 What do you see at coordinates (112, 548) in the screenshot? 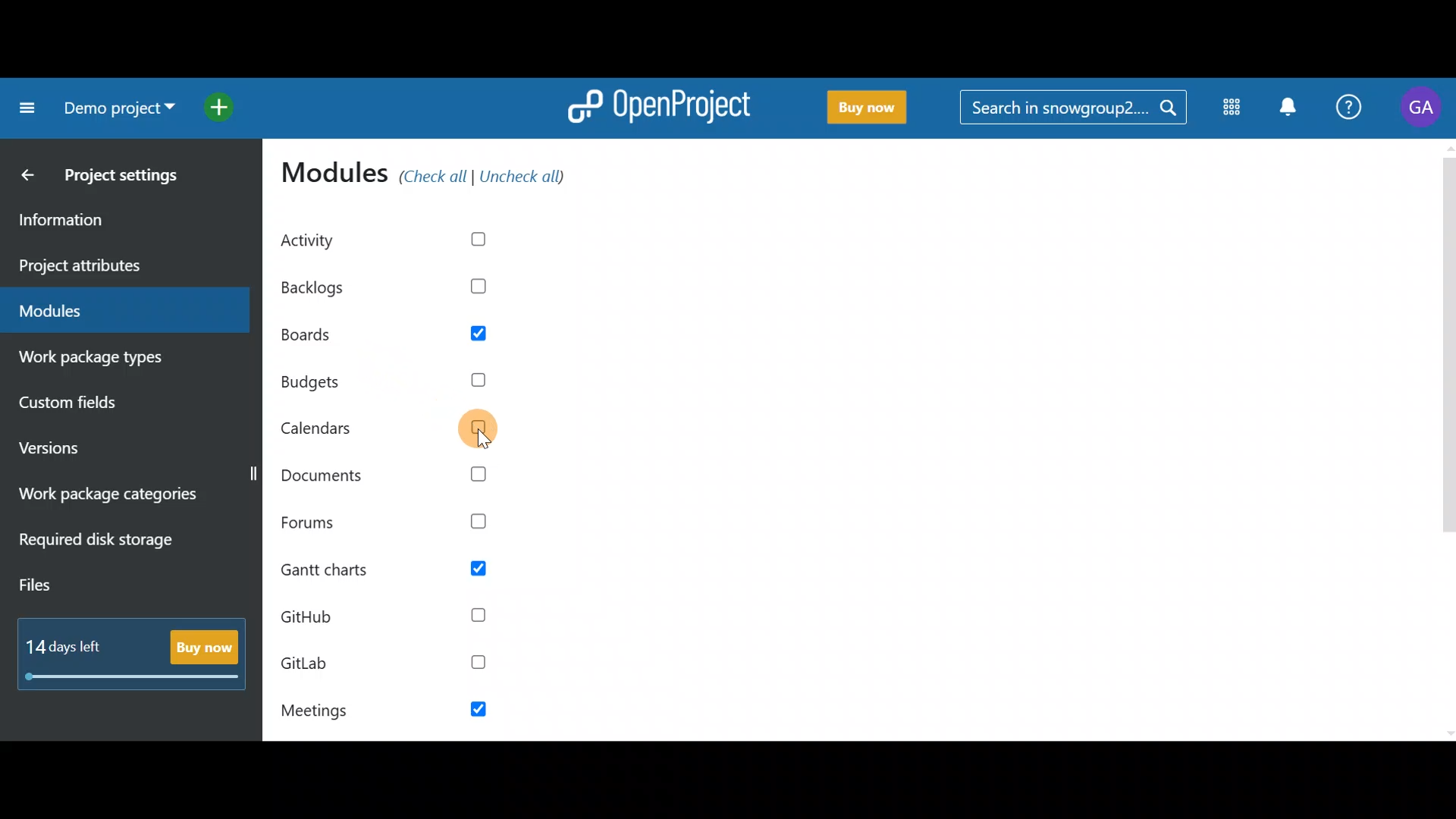
I see `Required disk storage` at bounding box center [112, 548].